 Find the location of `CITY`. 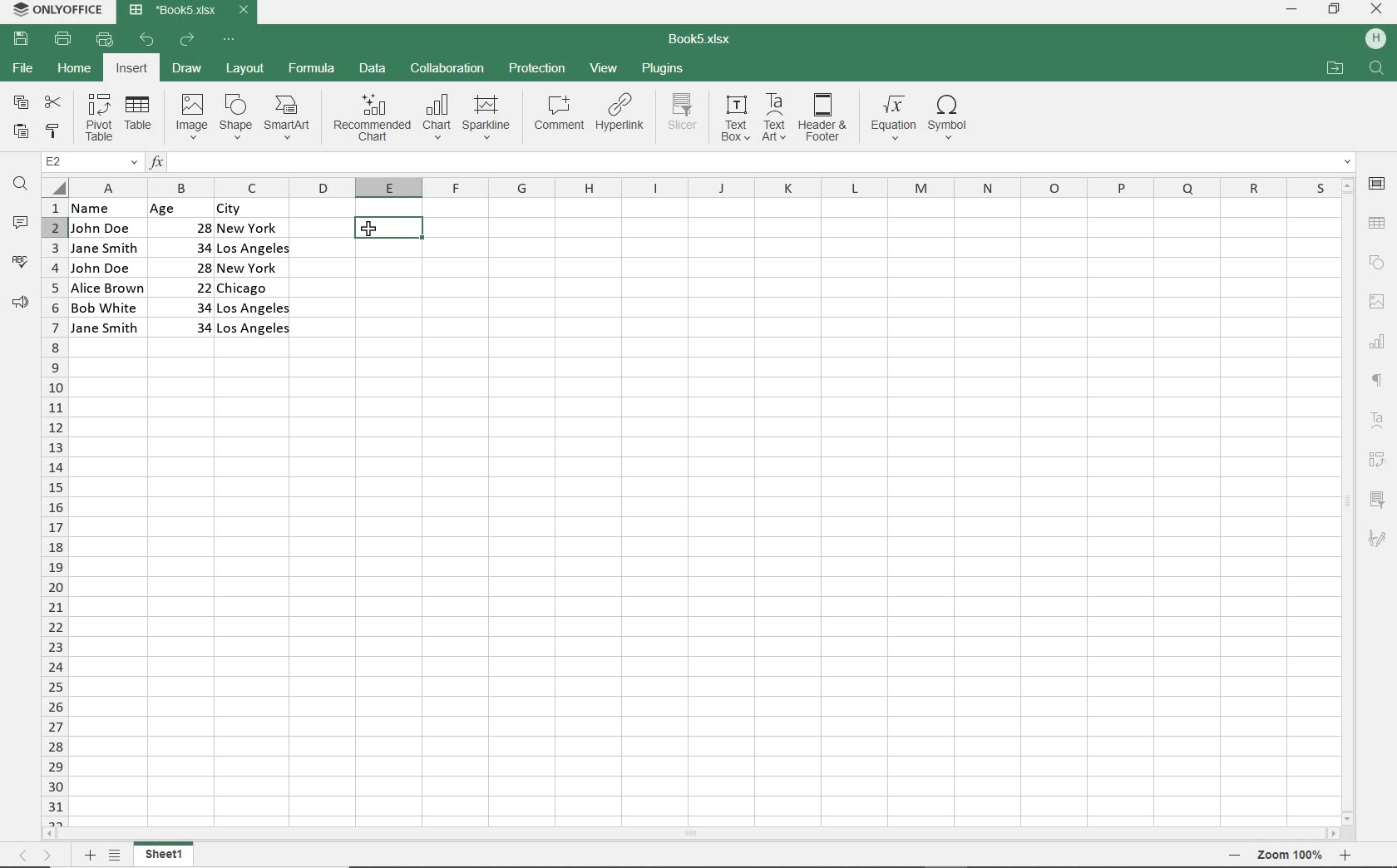

CITY is located at coordinates (254, 209).